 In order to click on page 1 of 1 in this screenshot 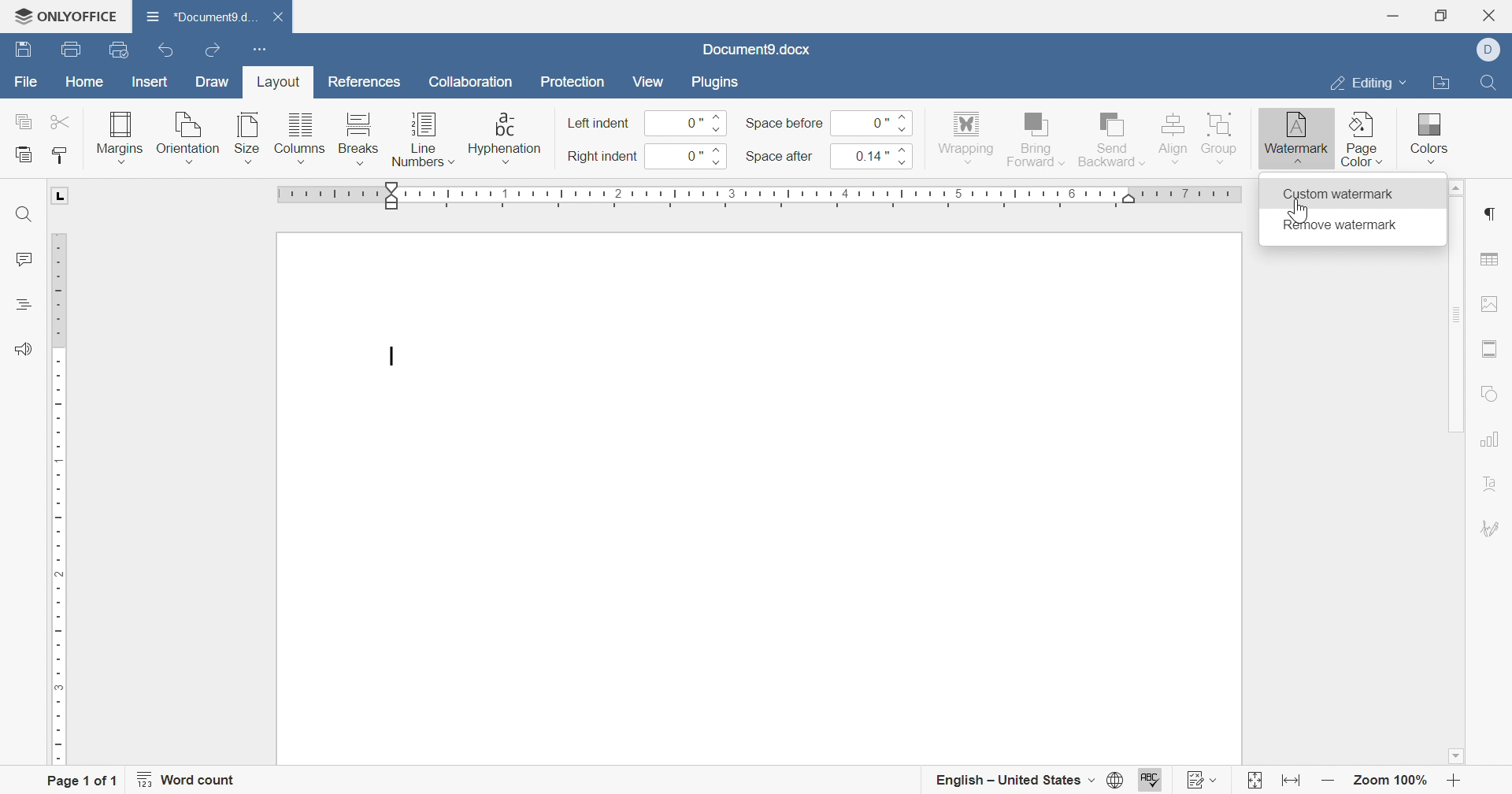, I will do `click(81, 782)`.